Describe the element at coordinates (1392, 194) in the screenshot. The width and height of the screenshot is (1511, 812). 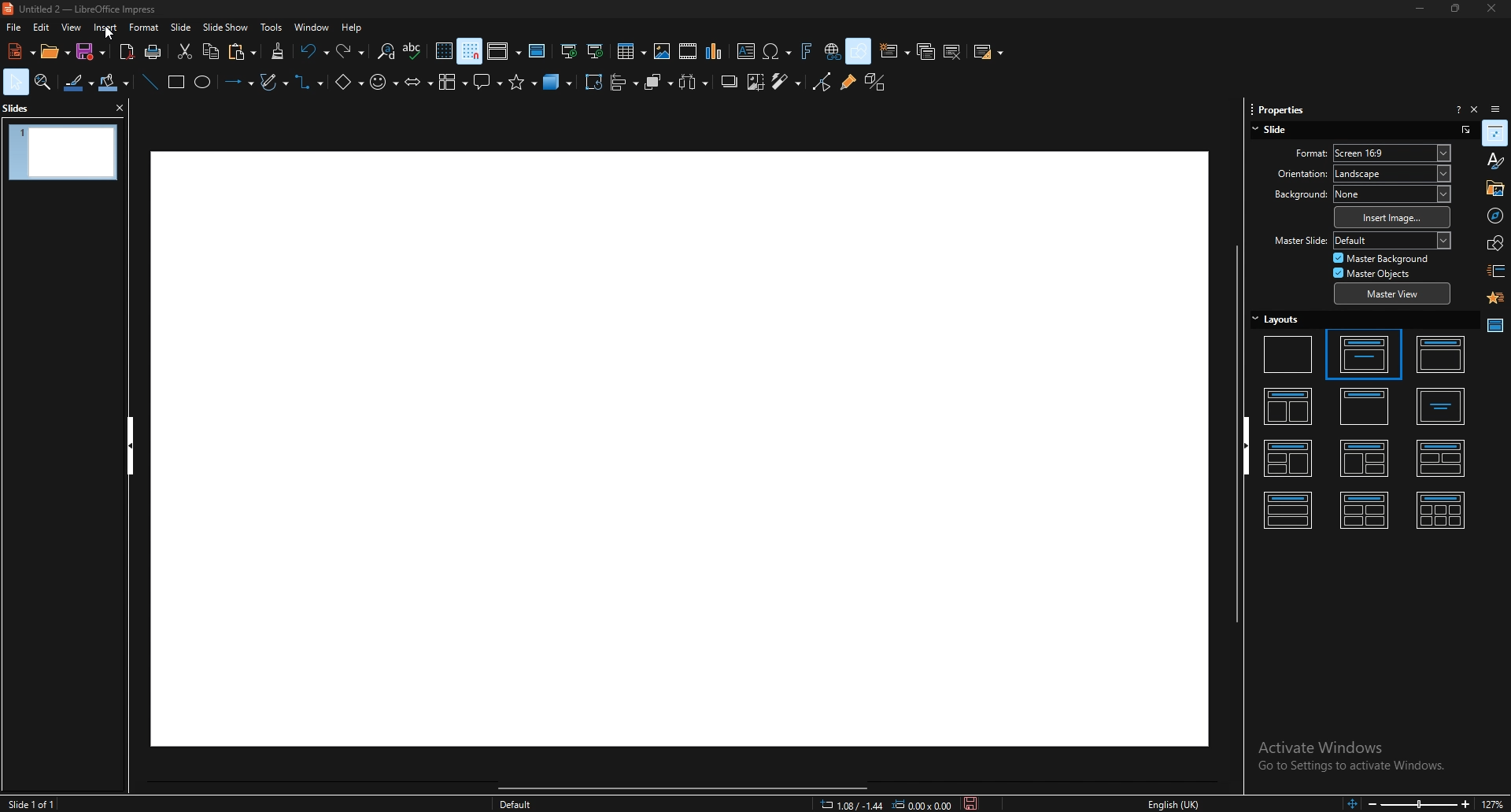
I see `background none` at that location.